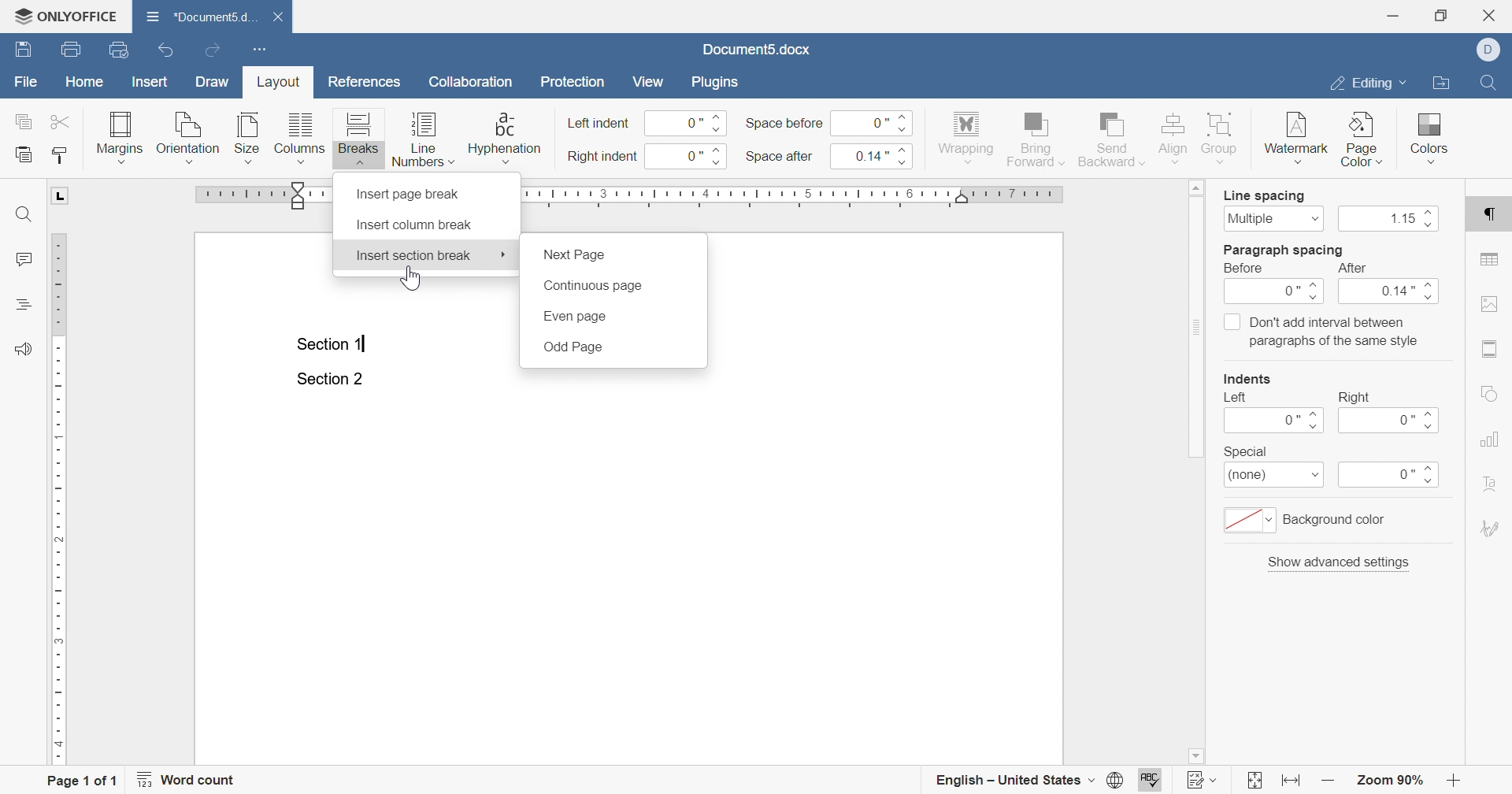 This screenshot has height=794, width=1512. What do you see at coordinates (1456, 780) in the screenshot?
I see `zoom out` at bounding box center [1456, 780].